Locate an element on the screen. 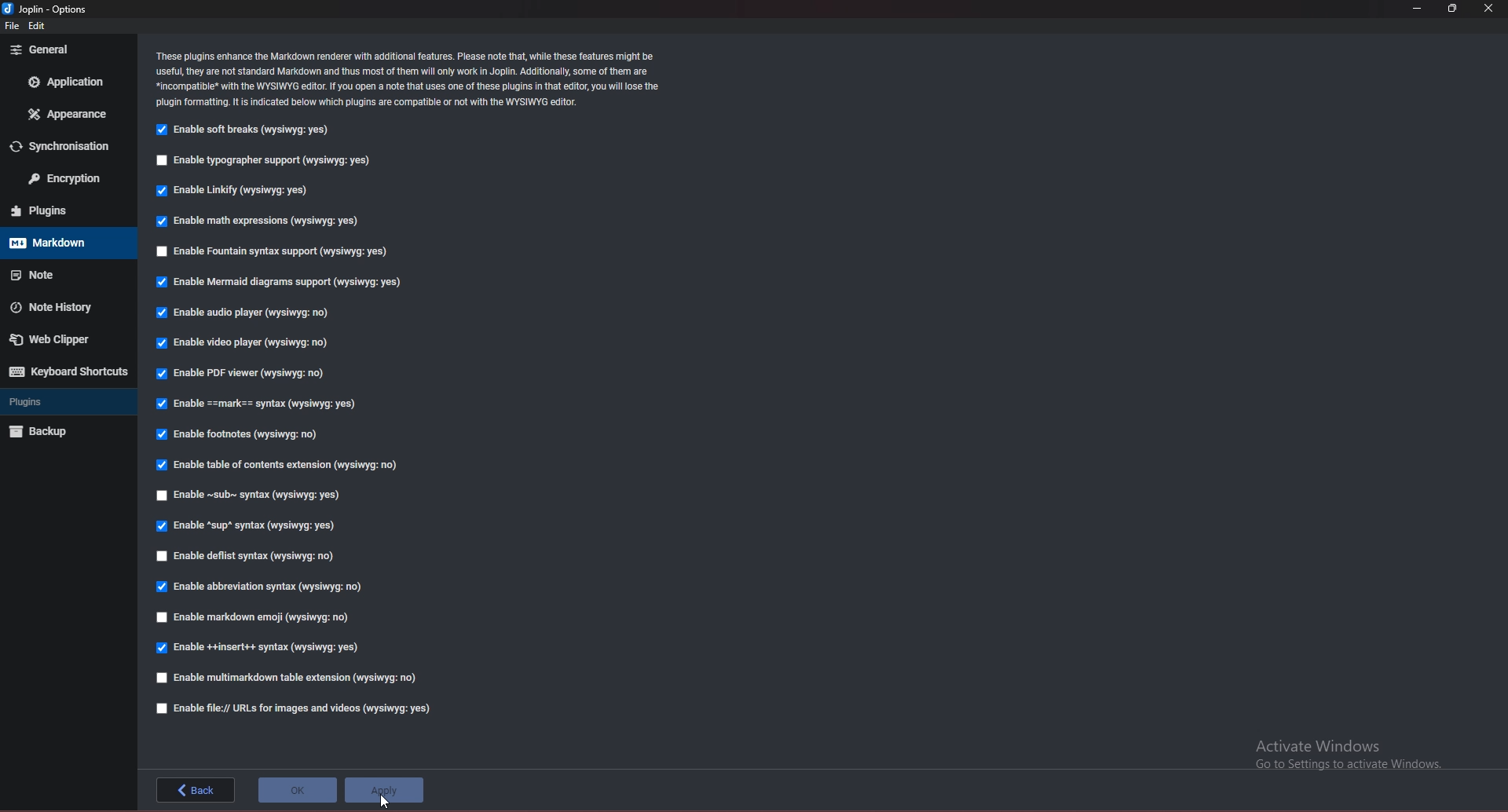 The width and height of the screenshot is (1508, 812). enable mark syntax is located at coordinates (264, 404).